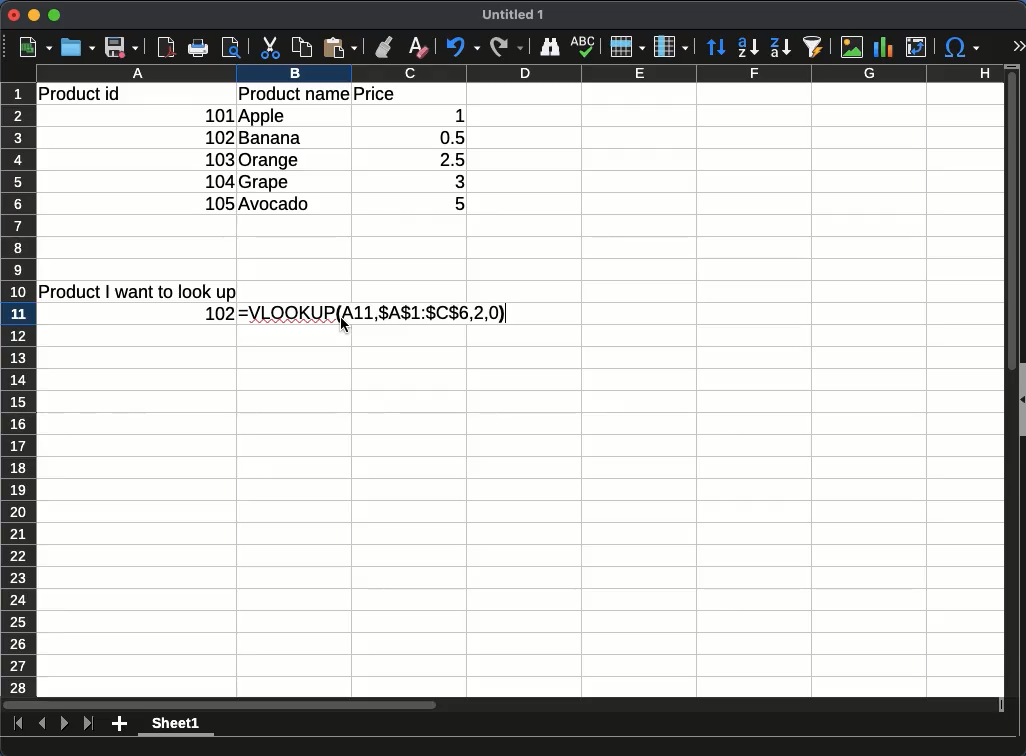 This screenshot has height=756, width=1026. Describe the element at coordinates (671, 47) in the screenshot. I see `column` at that location.